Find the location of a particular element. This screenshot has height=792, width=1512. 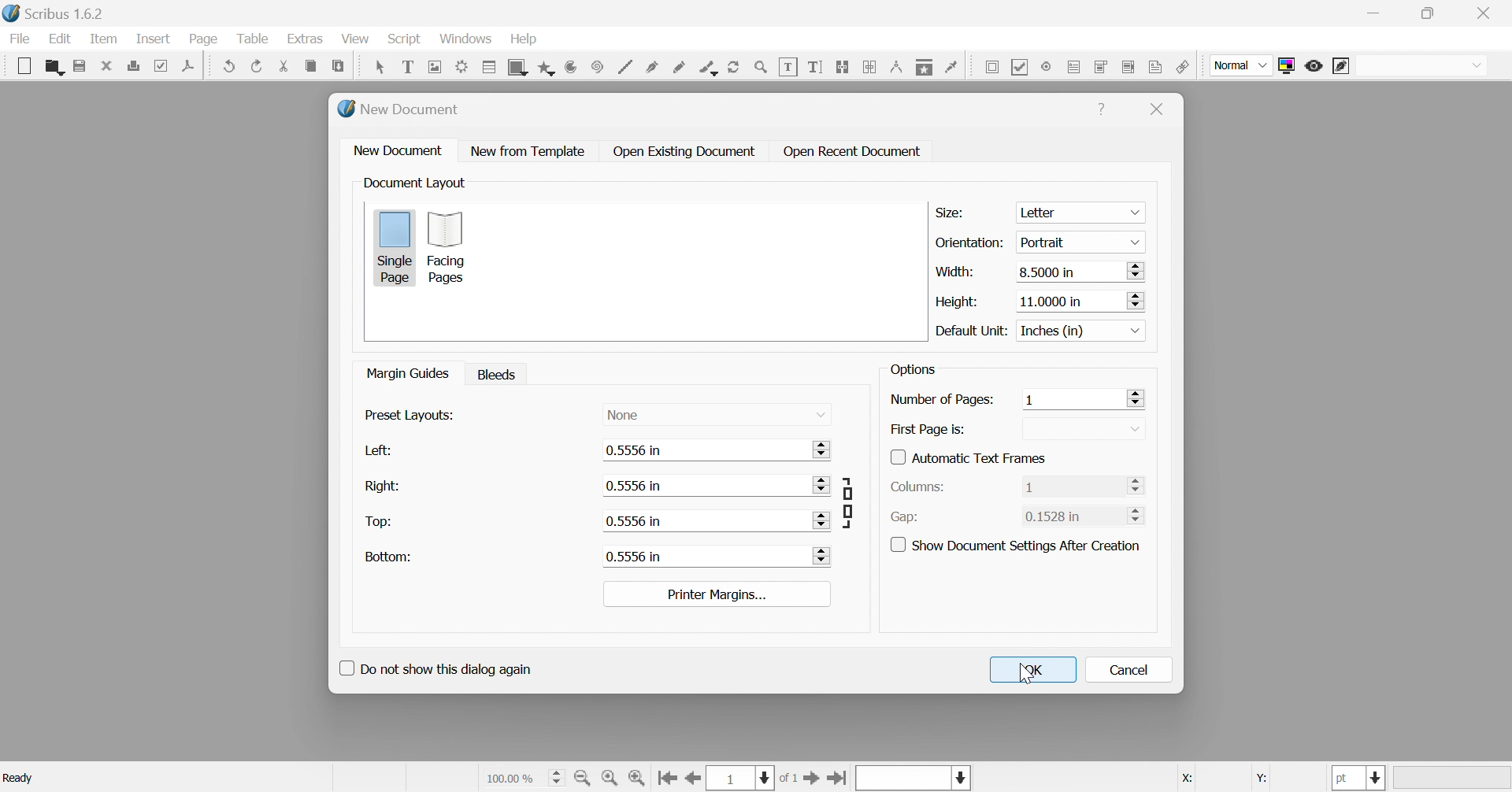

gap is located at coordinates (902, 517).